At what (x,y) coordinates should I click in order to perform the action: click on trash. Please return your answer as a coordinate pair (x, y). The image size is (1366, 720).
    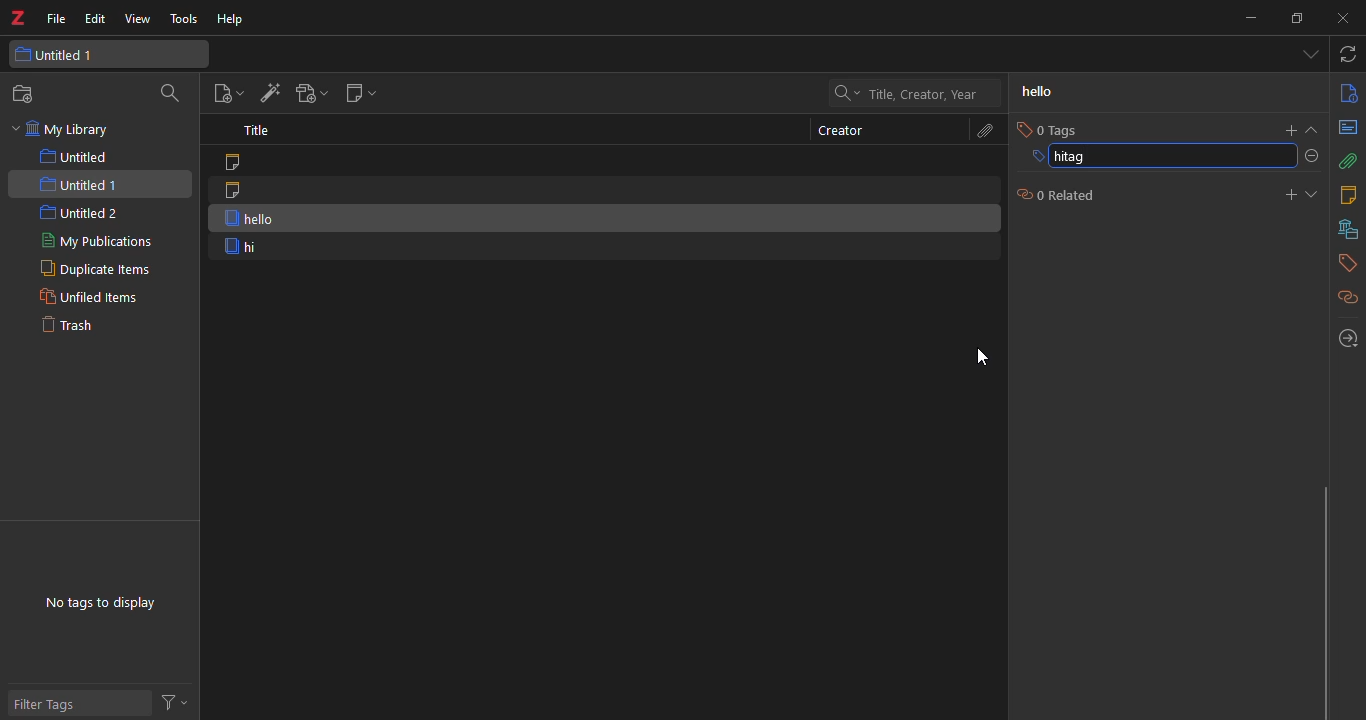
    Looking at the image, I should click on (79, 329).